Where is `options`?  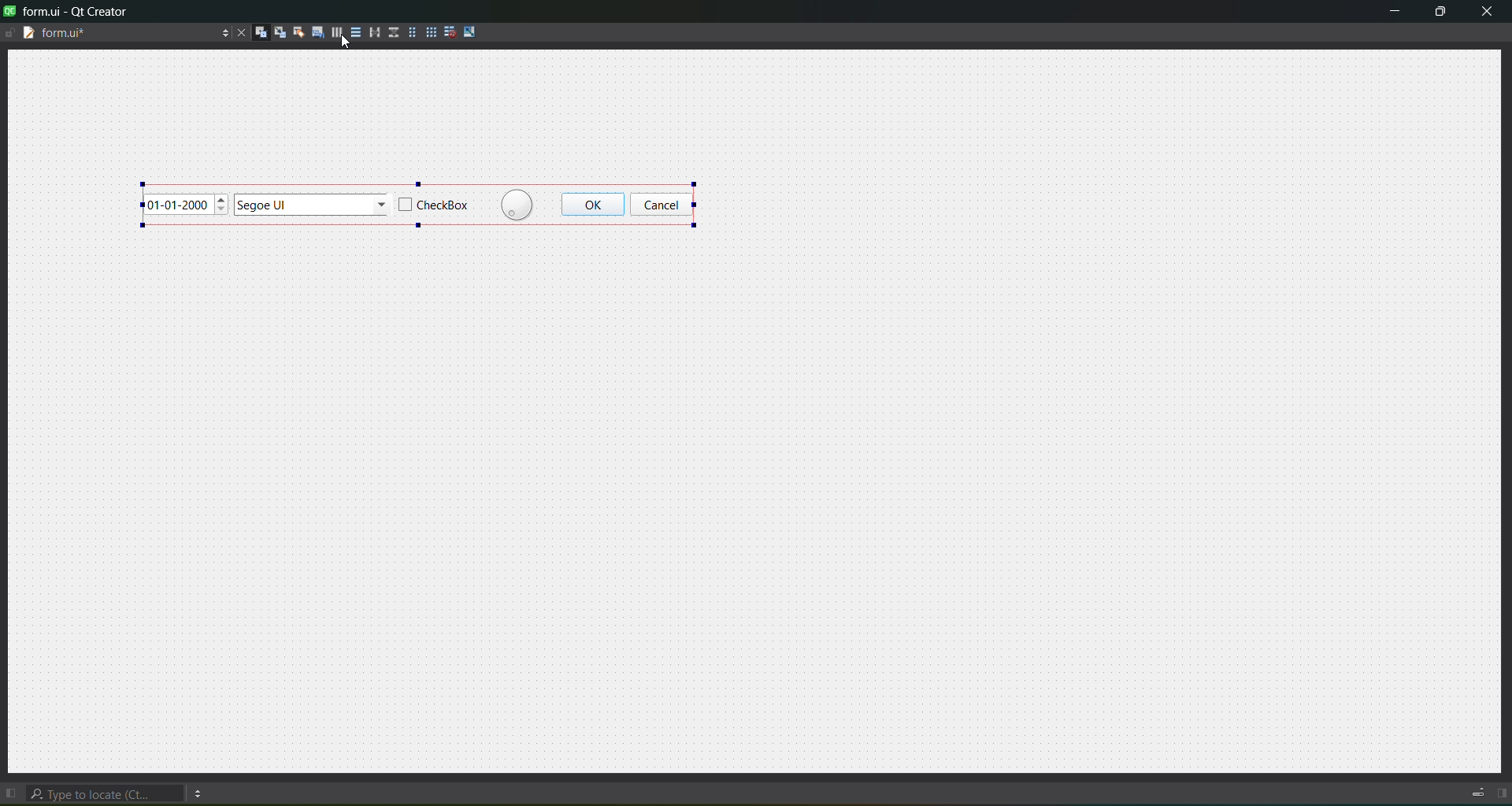
options is located at coordinates (219, 32).